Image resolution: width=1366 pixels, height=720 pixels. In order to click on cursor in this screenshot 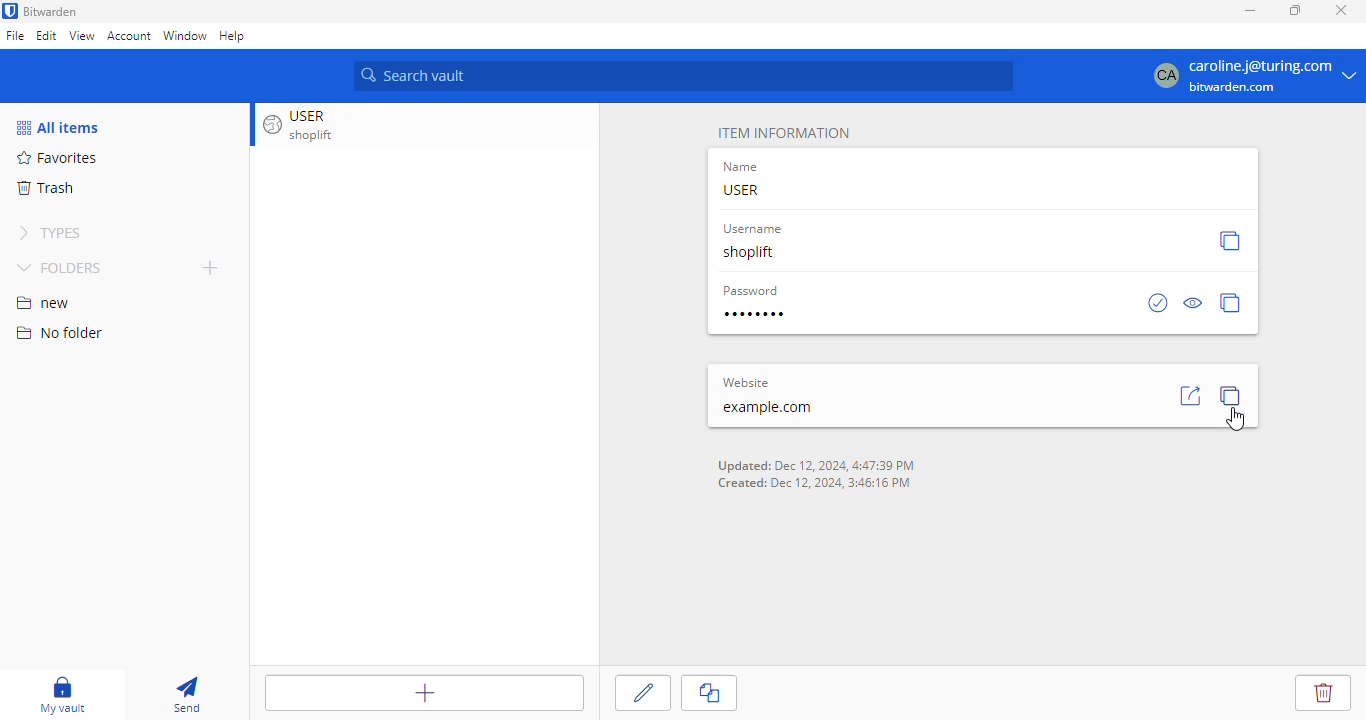, I will do `click(1235, 419)`.